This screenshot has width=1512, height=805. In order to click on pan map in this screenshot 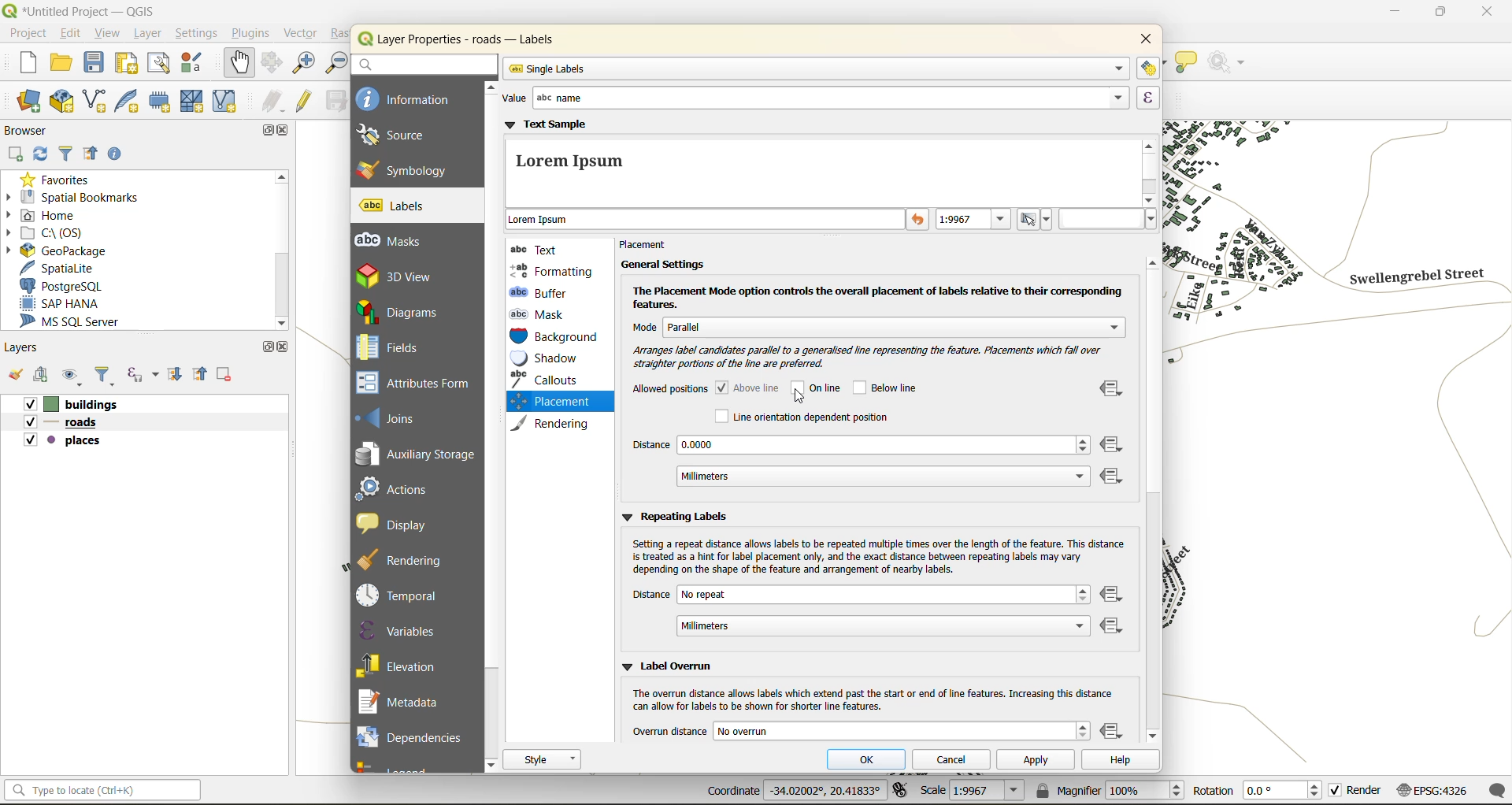, I will do `click(236, 63)`.